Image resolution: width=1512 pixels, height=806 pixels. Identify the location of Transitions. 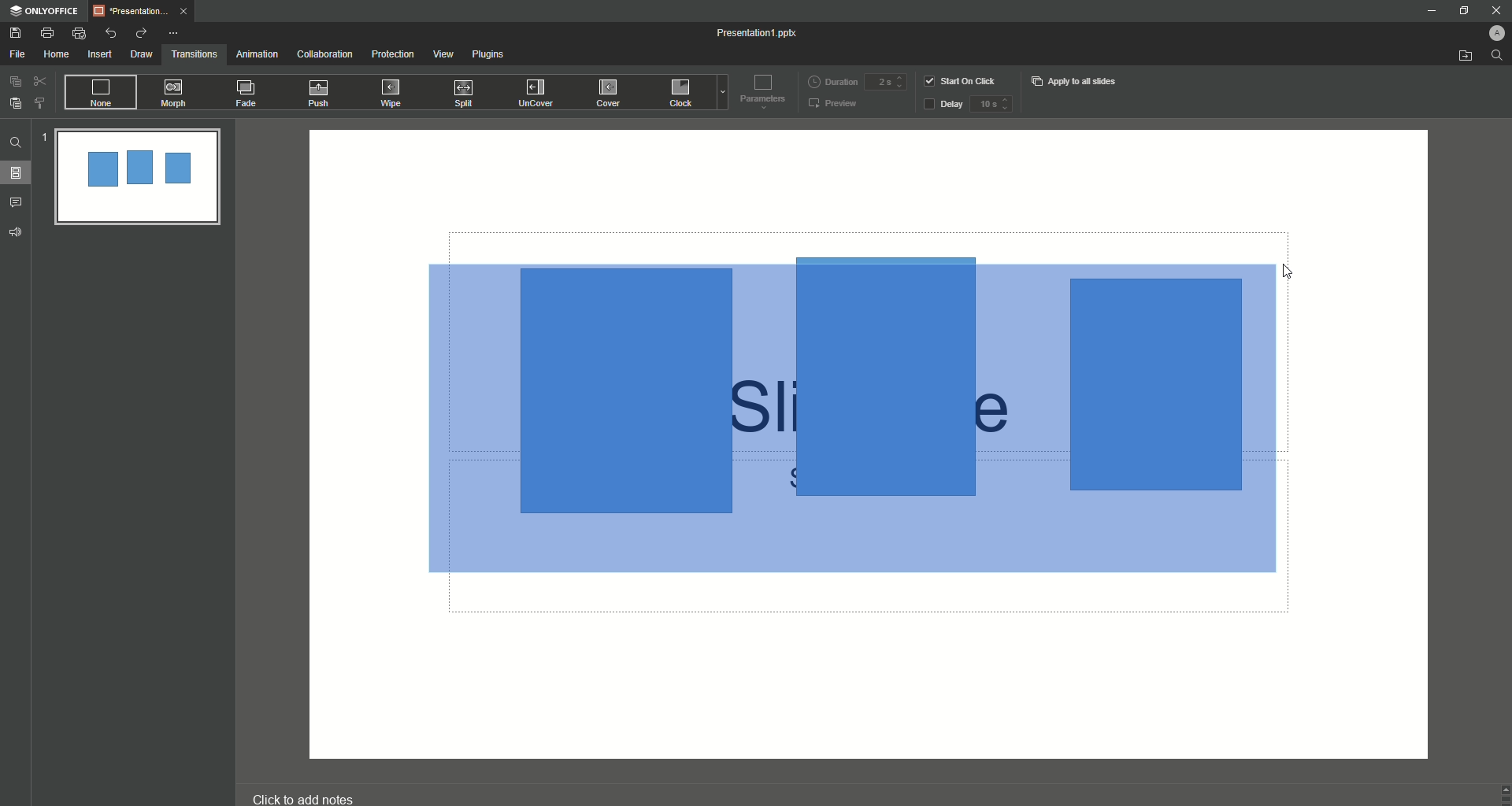
(195, 53).